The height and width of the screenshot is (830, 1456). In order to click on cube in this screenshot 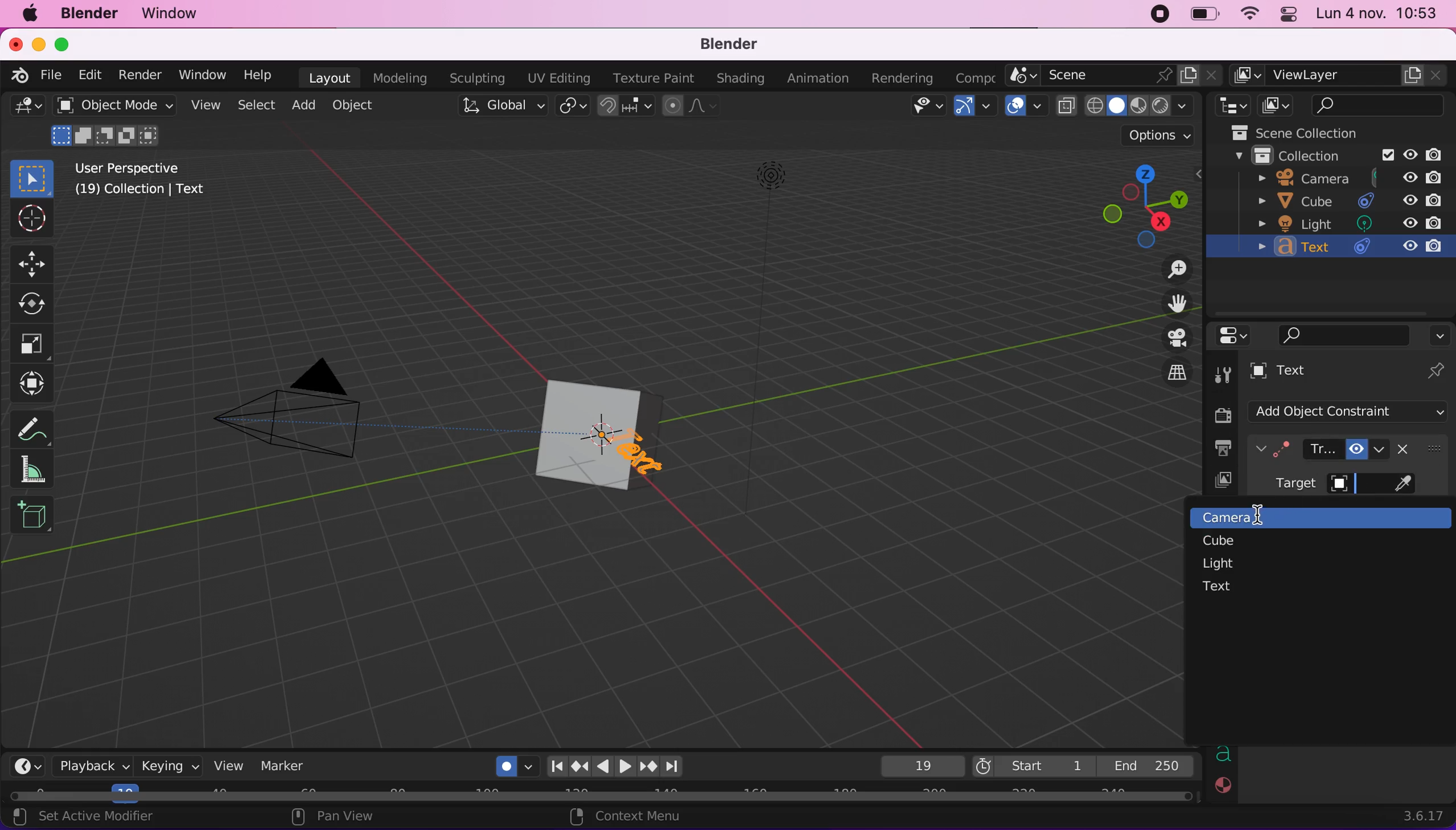, I will do `click(1225, 542)`.